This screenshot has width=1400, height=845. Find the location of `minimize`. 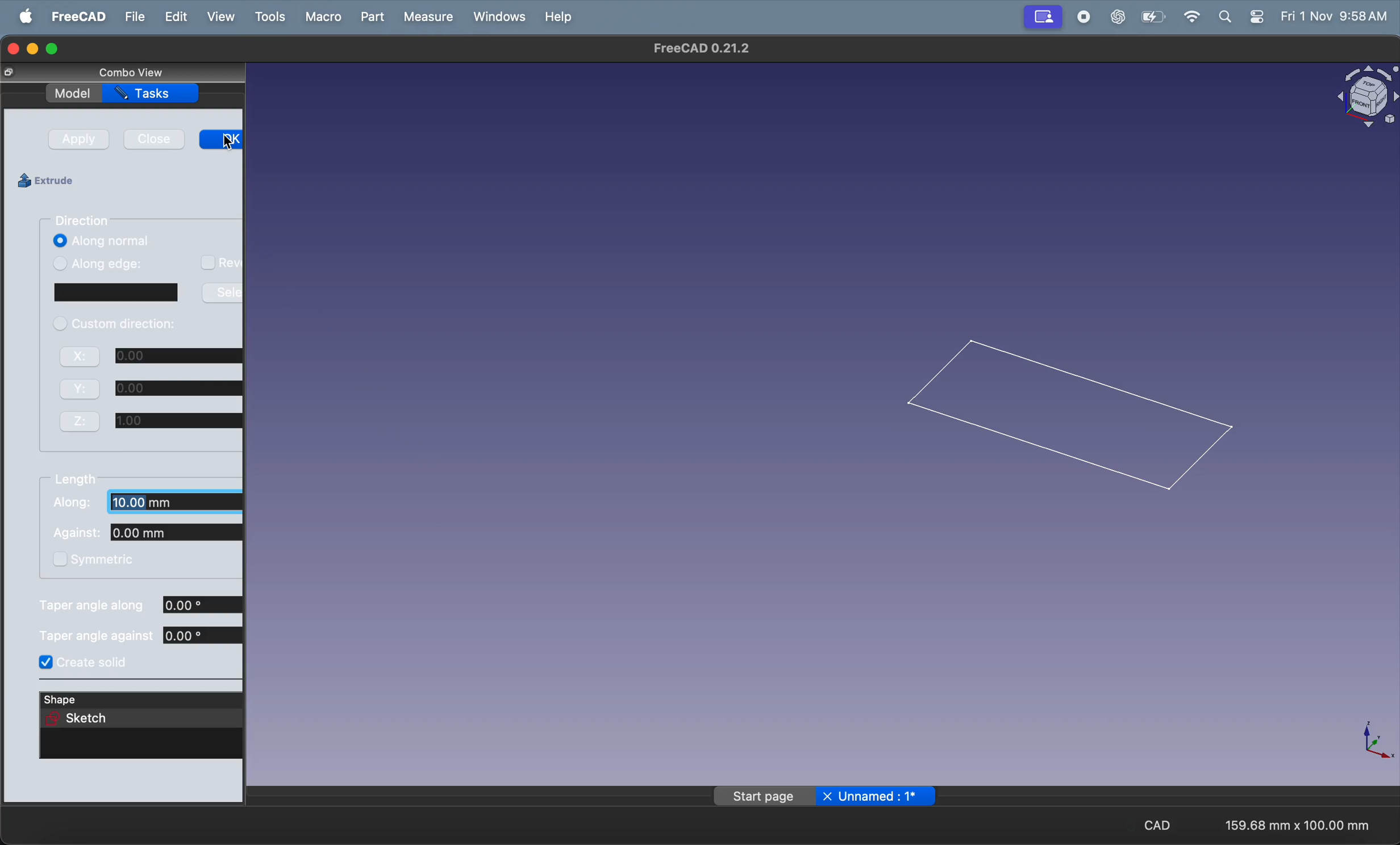

minimize is located at coordinates (31, 48).